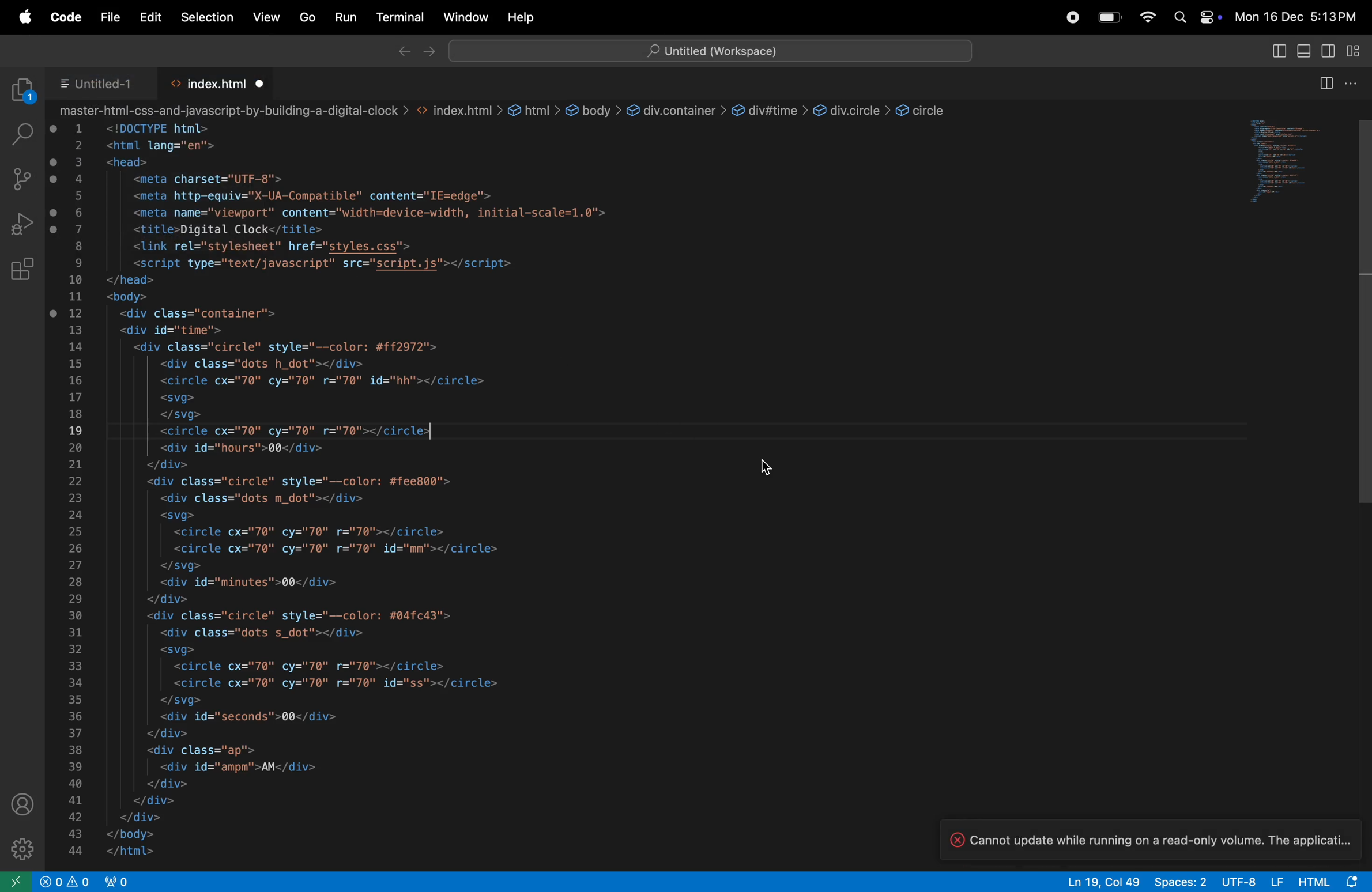 The image size is (1372, 892). What do you see at coordinates (180, 415) in the screenshot?
I see `| </svg>` at bounding box center [180, 415].